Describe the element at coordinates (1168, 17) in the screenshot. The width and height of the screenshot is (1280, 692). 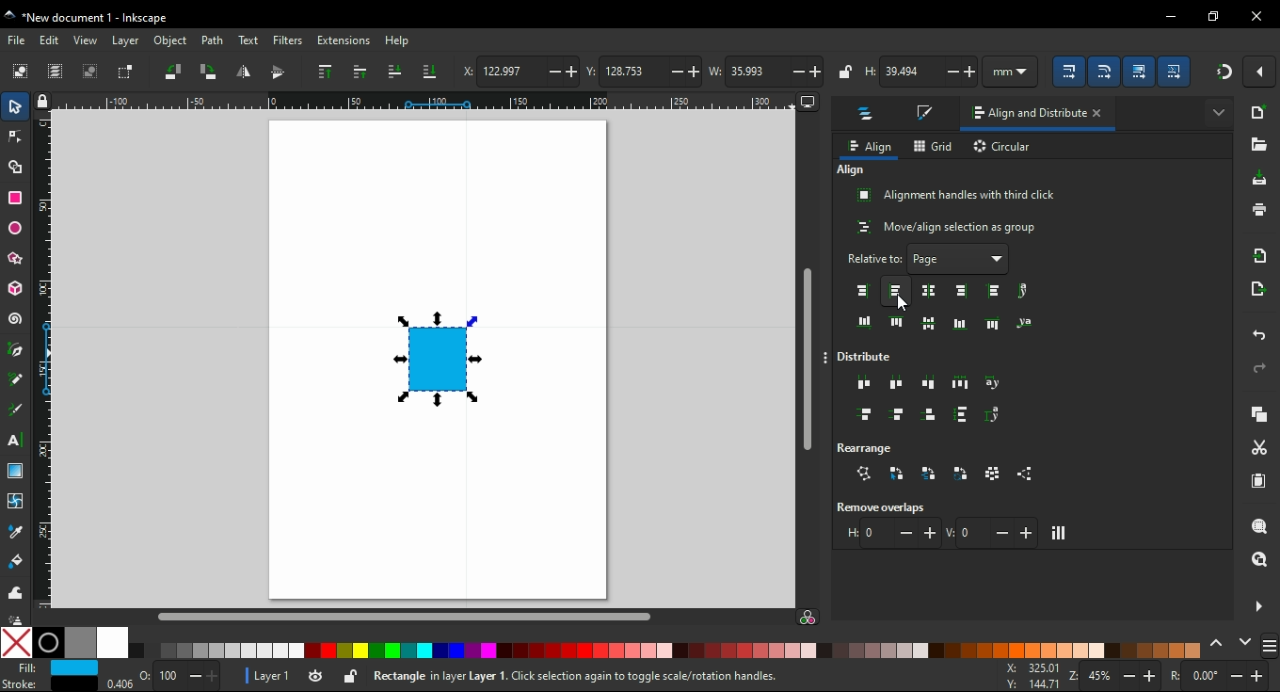
I see `minimize` at that location.